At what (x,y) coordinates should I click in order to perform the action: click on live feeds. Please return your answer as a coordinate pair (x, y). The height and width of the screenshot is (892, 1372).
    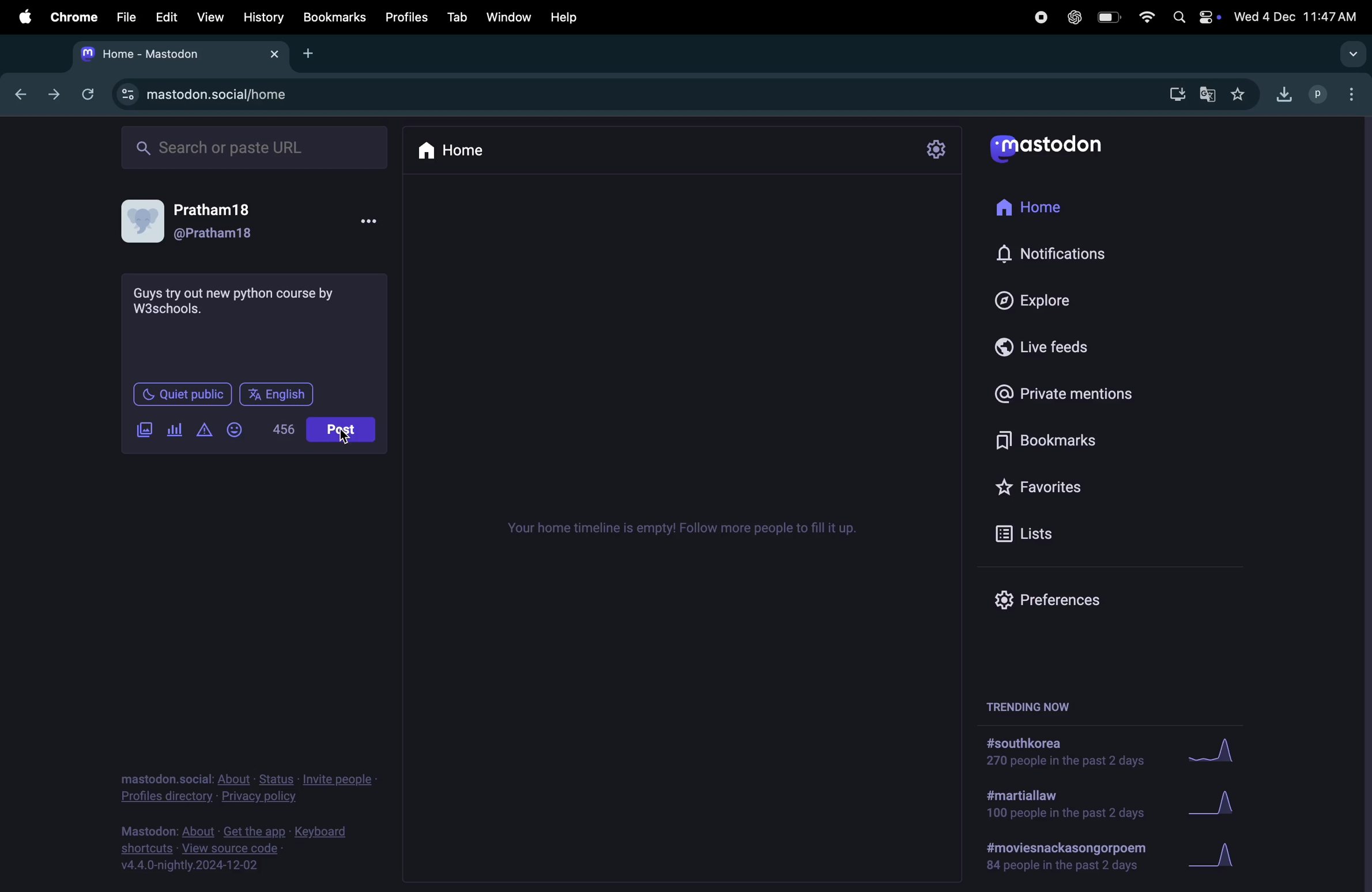
    Looking at the image, I should click on (1045, 351).